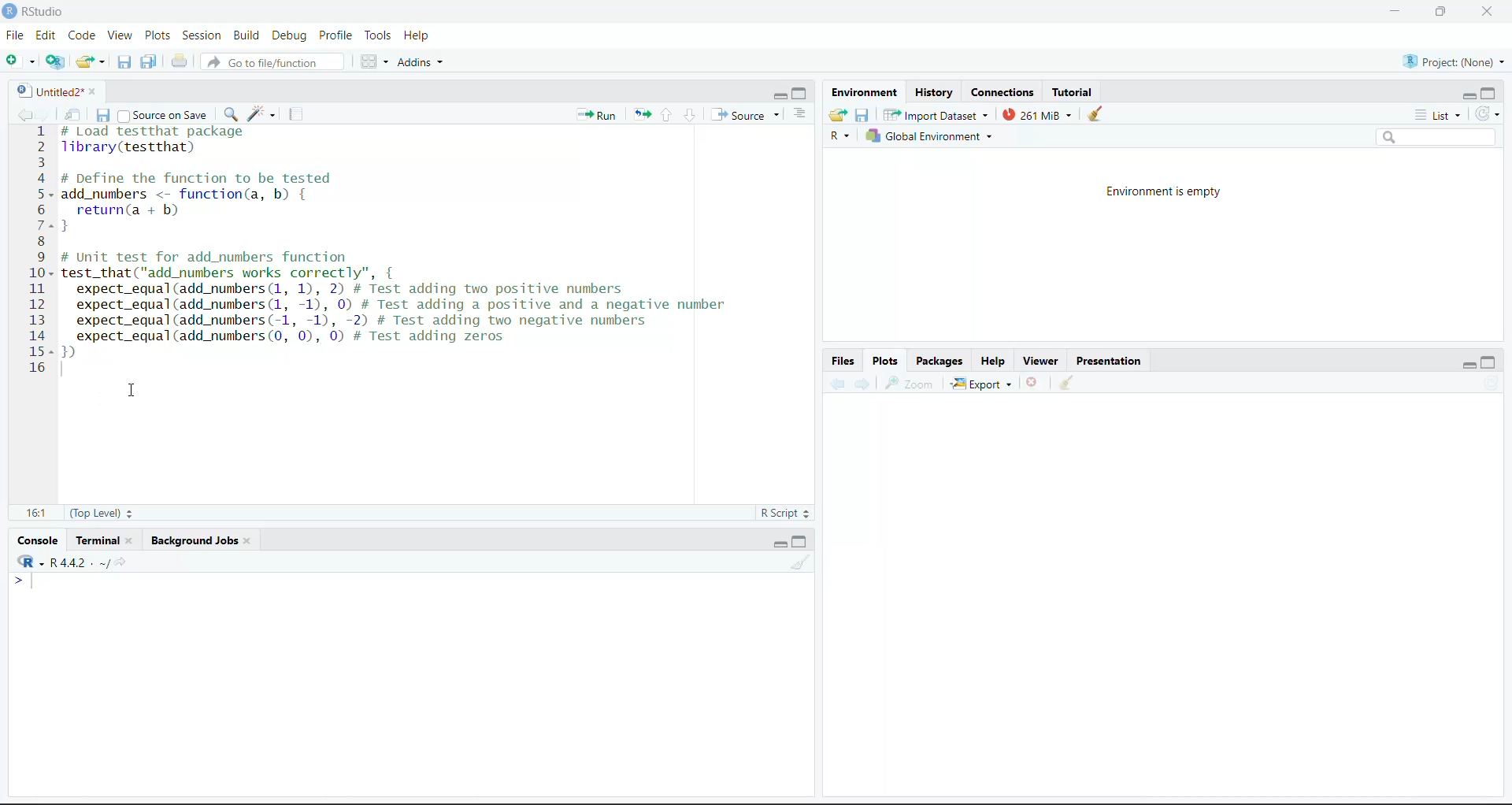 This screenshot has width=1512, height=805. Describe the element at coordinates (665, 114) in the screenshot. I see `Go to previous section` at that location.